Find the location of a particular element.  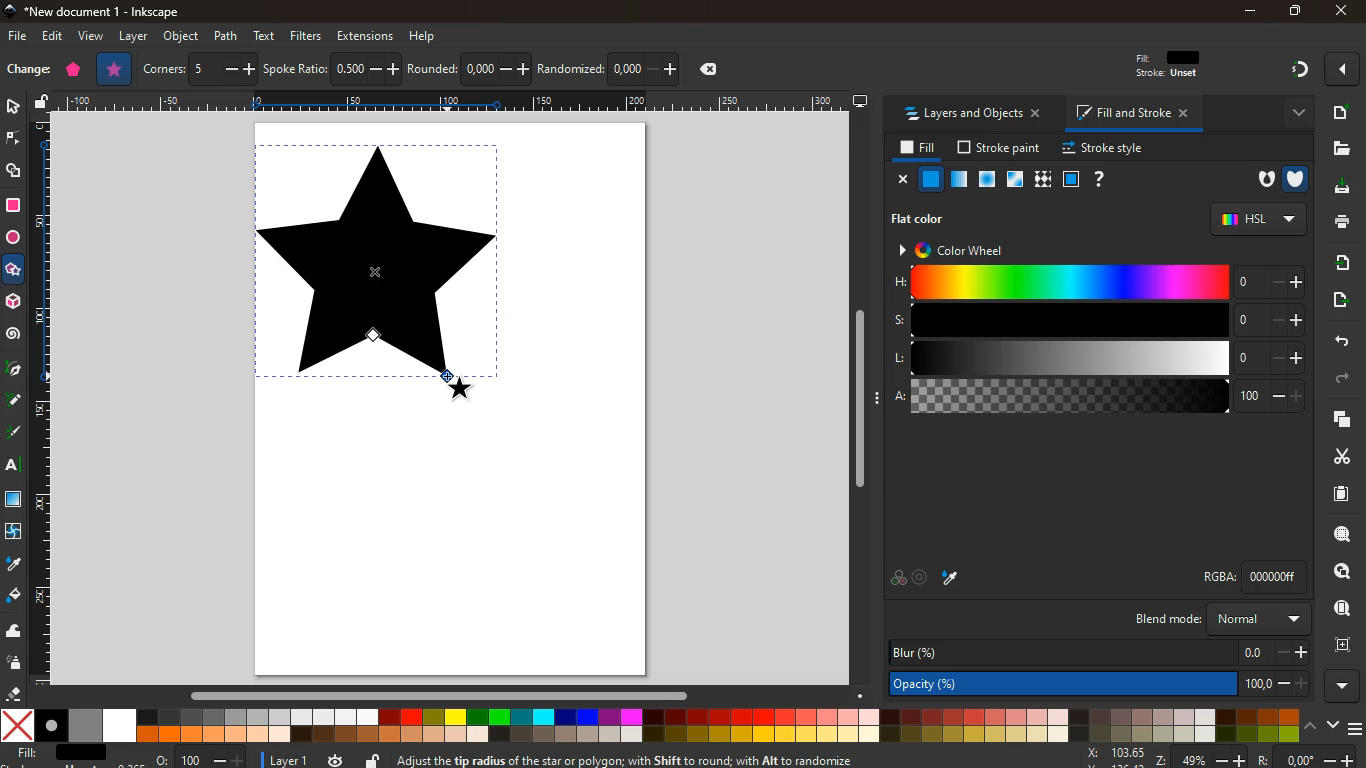

file is located at coordinates (19, 36).